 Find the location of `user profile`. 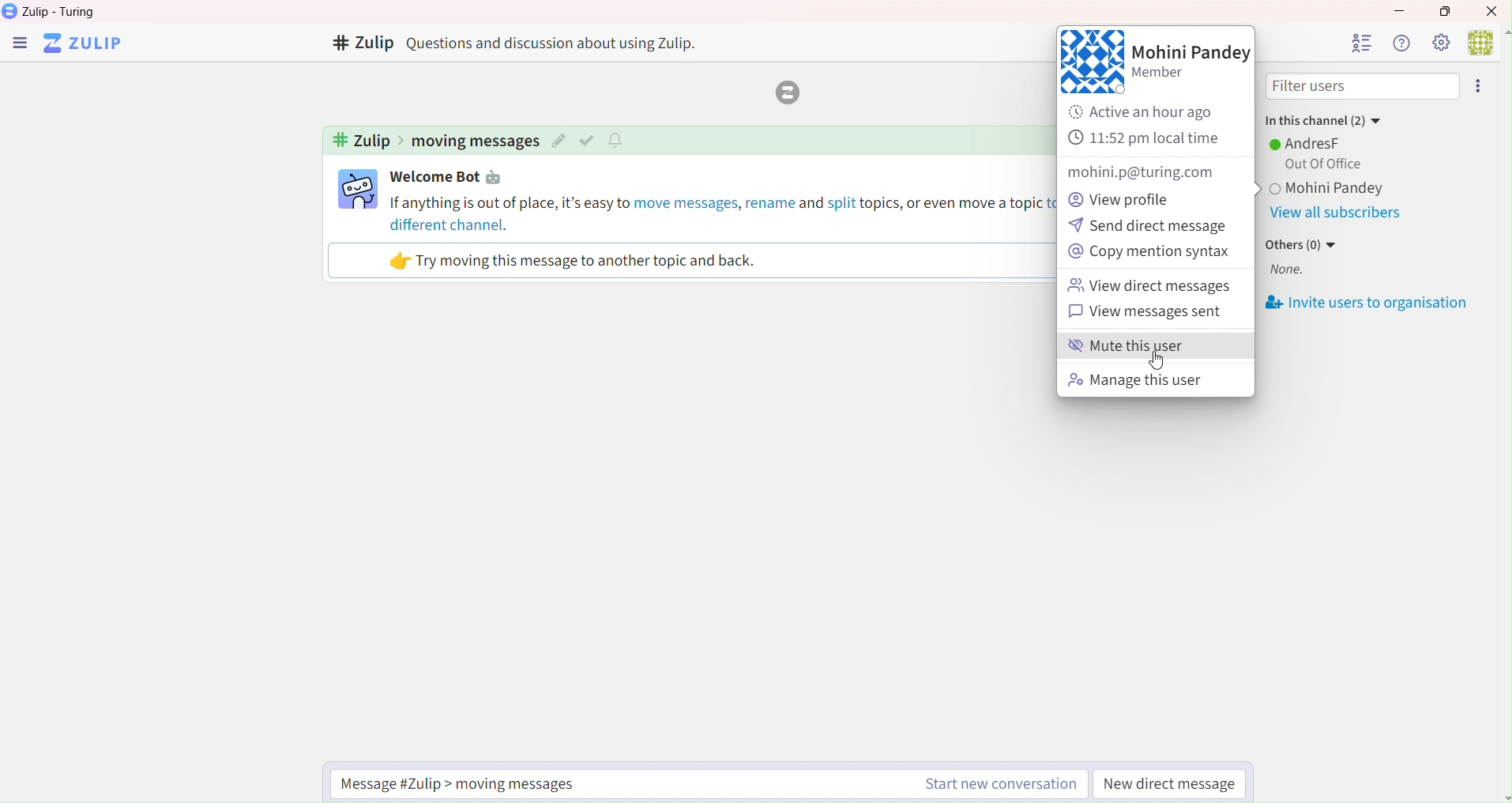

user profile is located at coordinates (1091, 62).